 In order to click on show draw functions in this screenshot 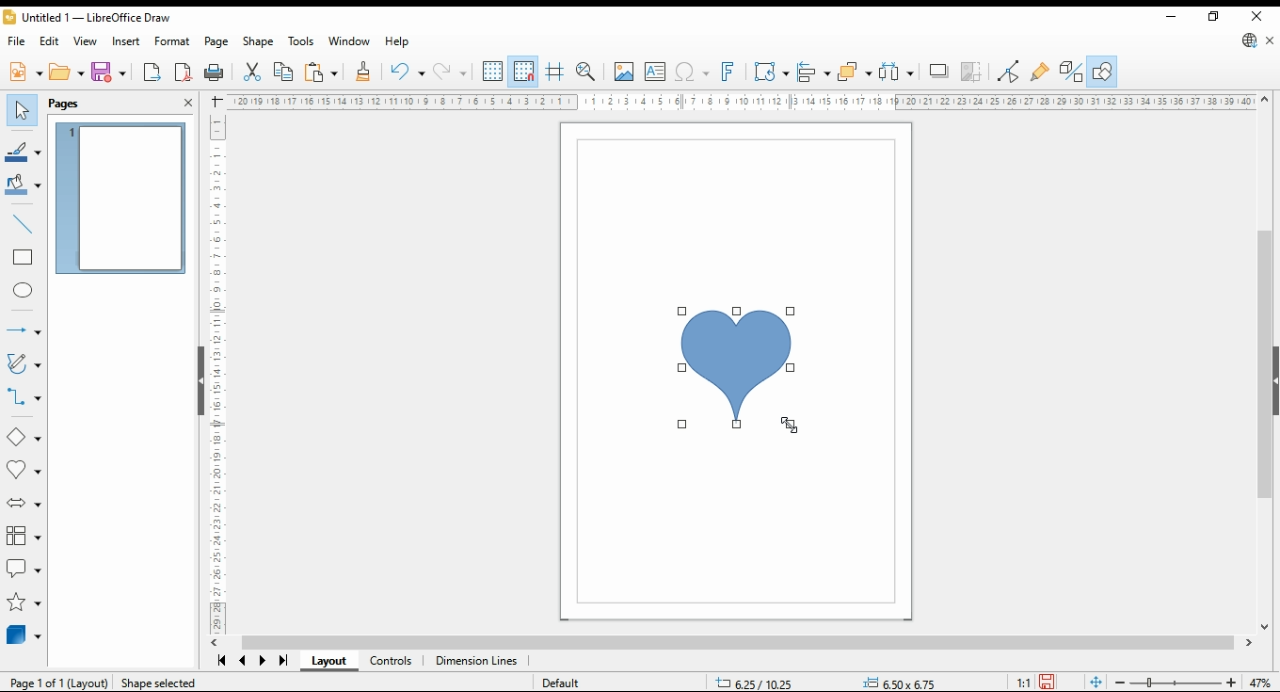, I will do `click(1102, 71)`.